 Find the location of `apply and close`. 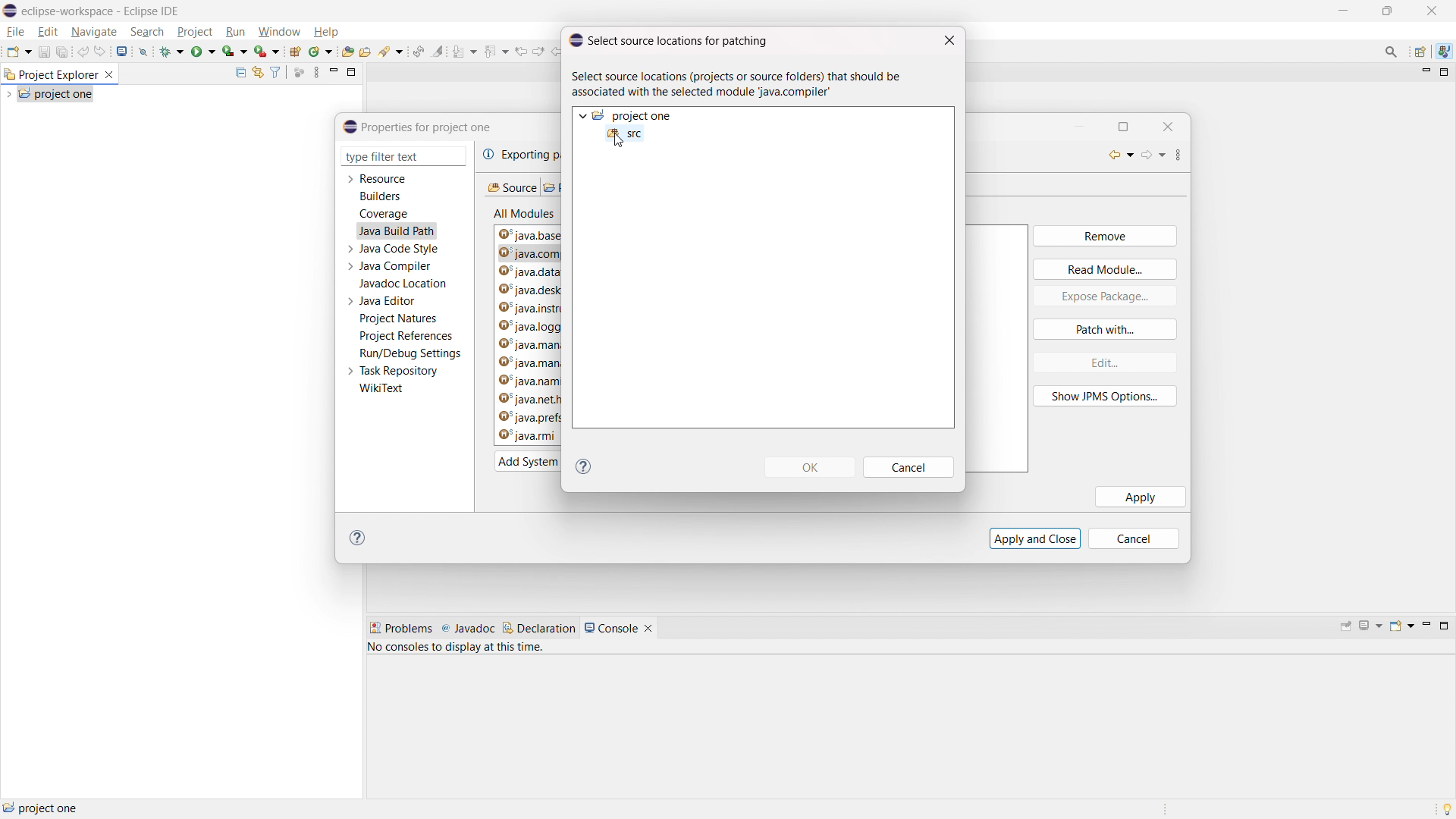

apply and close is located at coordinates (1035, 538).